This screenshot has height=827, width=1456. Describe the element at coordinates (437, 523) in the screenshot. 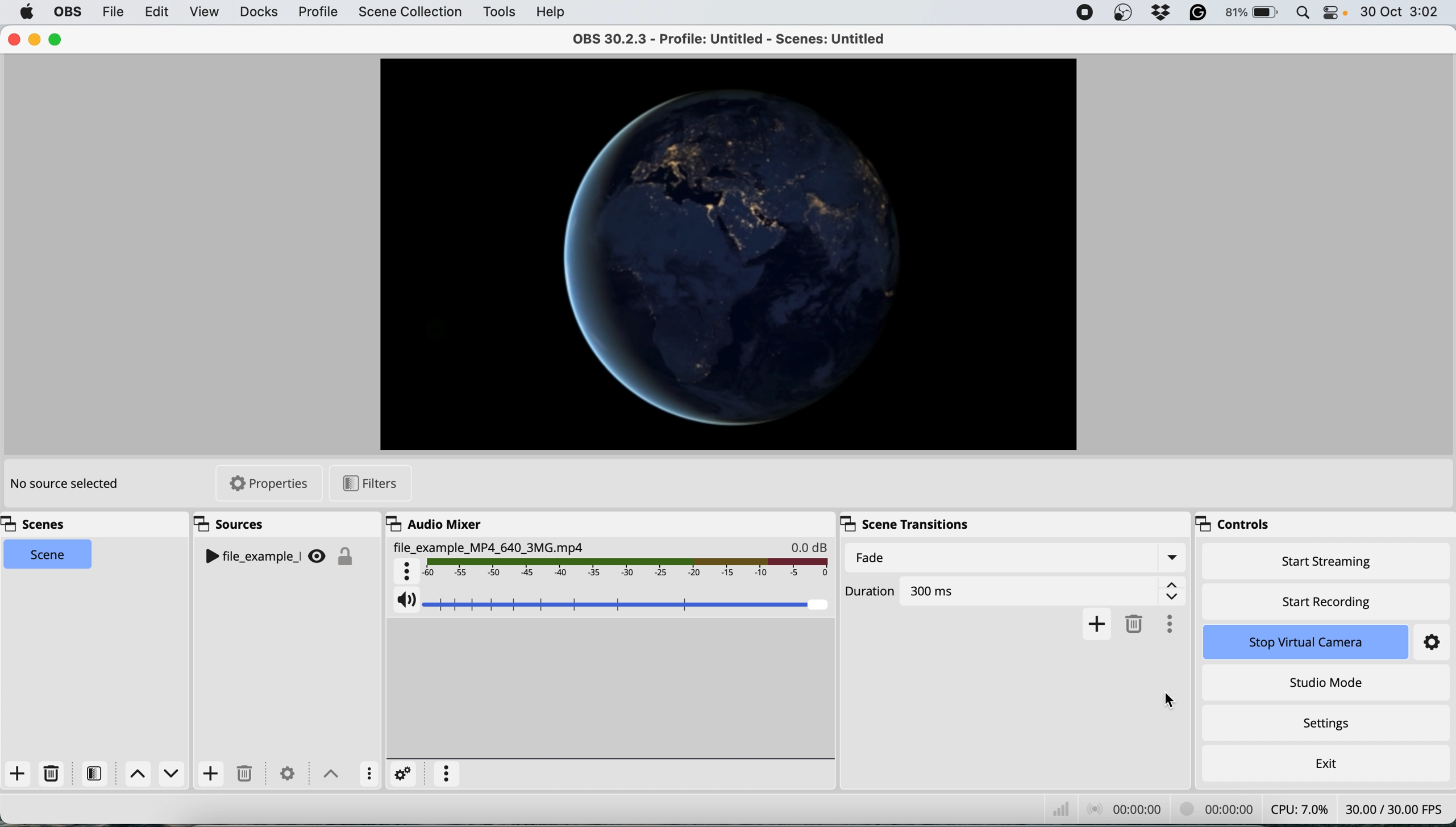

I see `audio mixer` at that location.